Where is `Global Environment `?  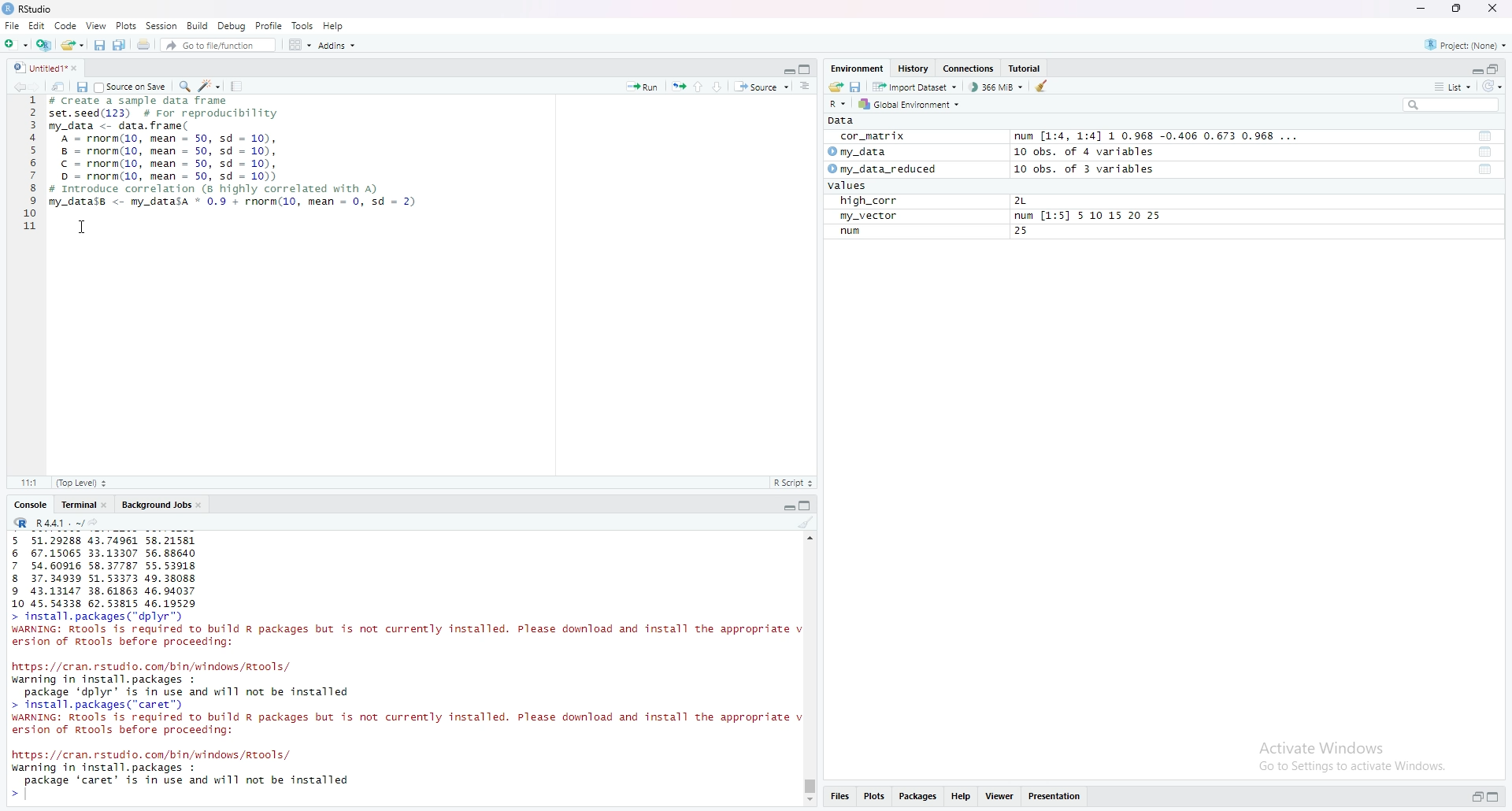
Global Environment  is located at coordinates (910, 103).